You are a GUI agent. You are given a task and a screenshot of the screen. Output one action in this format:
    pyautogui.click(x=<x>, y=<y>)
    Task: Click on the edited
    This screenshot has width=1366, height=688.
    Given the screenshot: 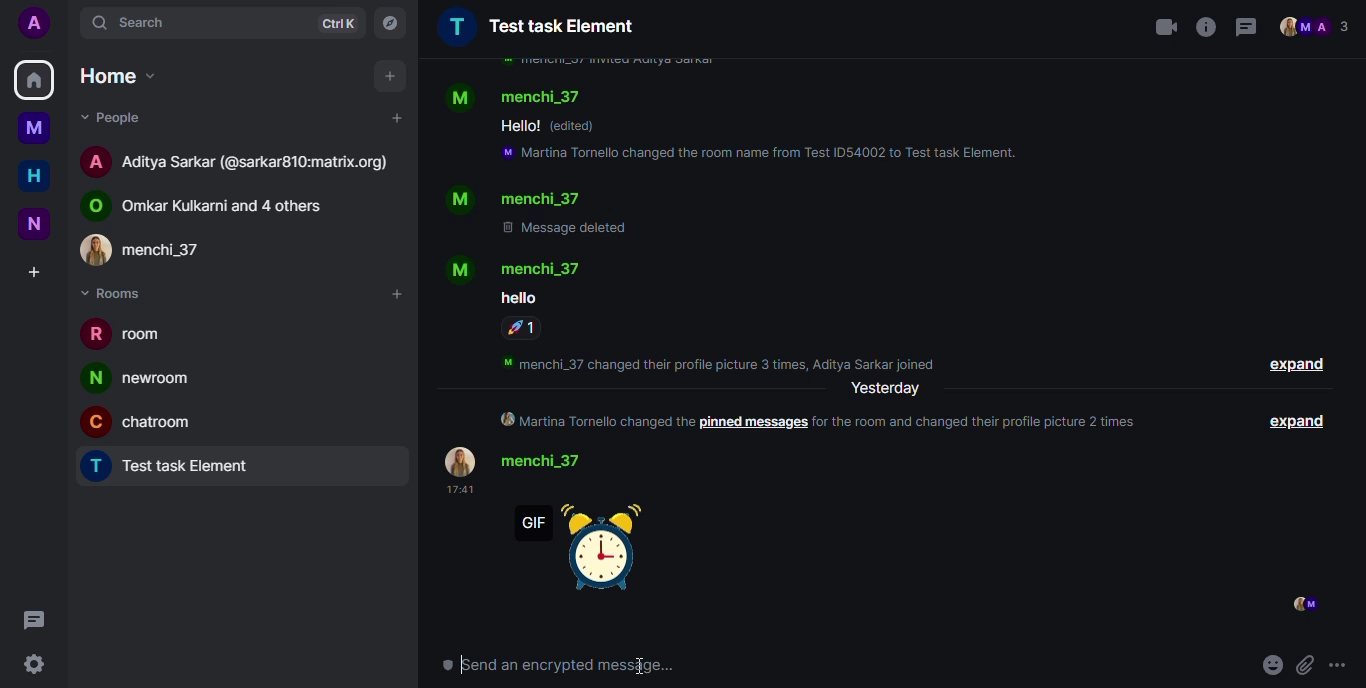 What is the action you would take?
    pyautogui.click(x=577, y=126)
    